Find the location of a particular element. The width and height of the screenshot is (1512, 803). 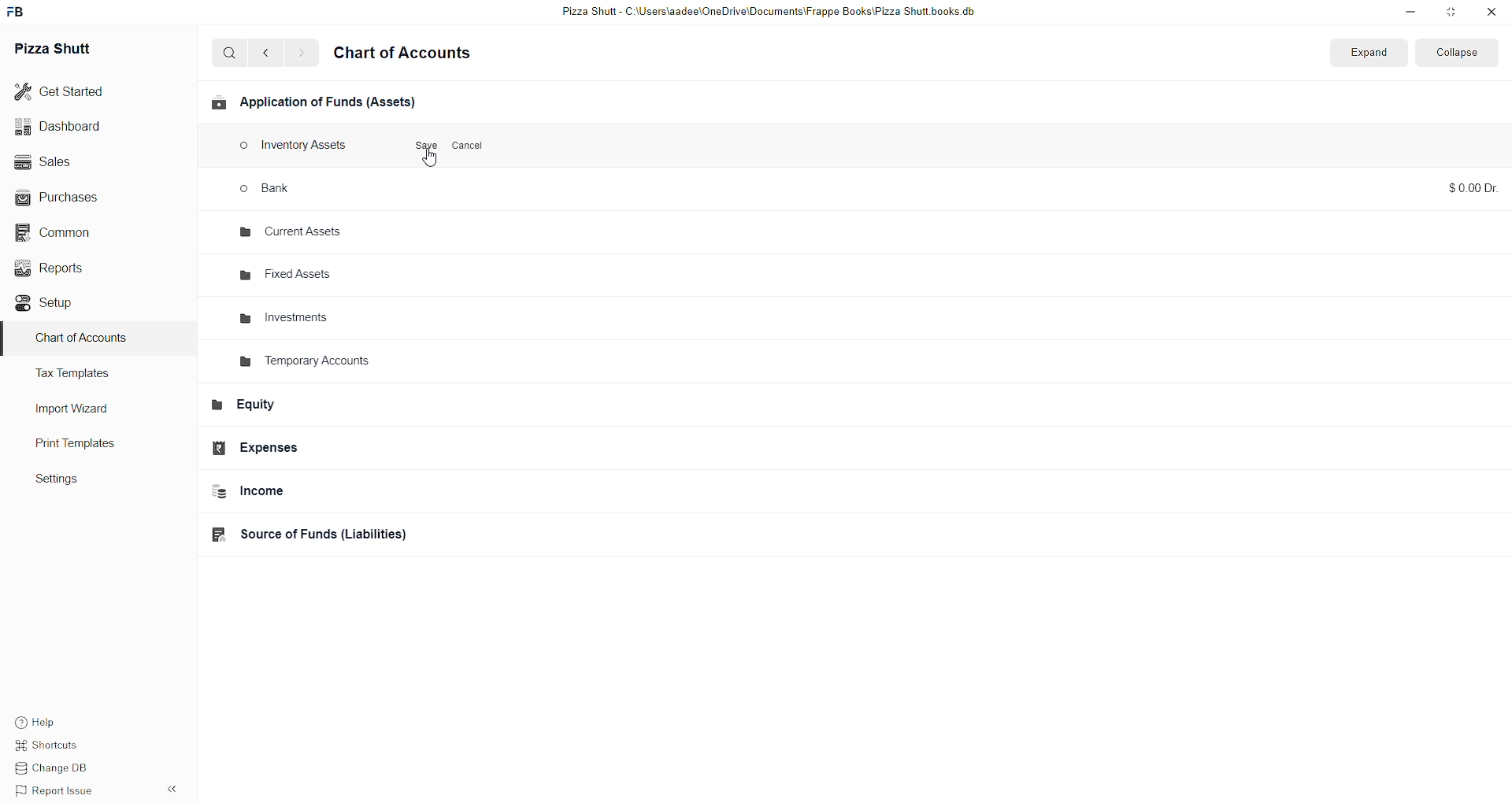

settings  is located at coordinates (72, 483).